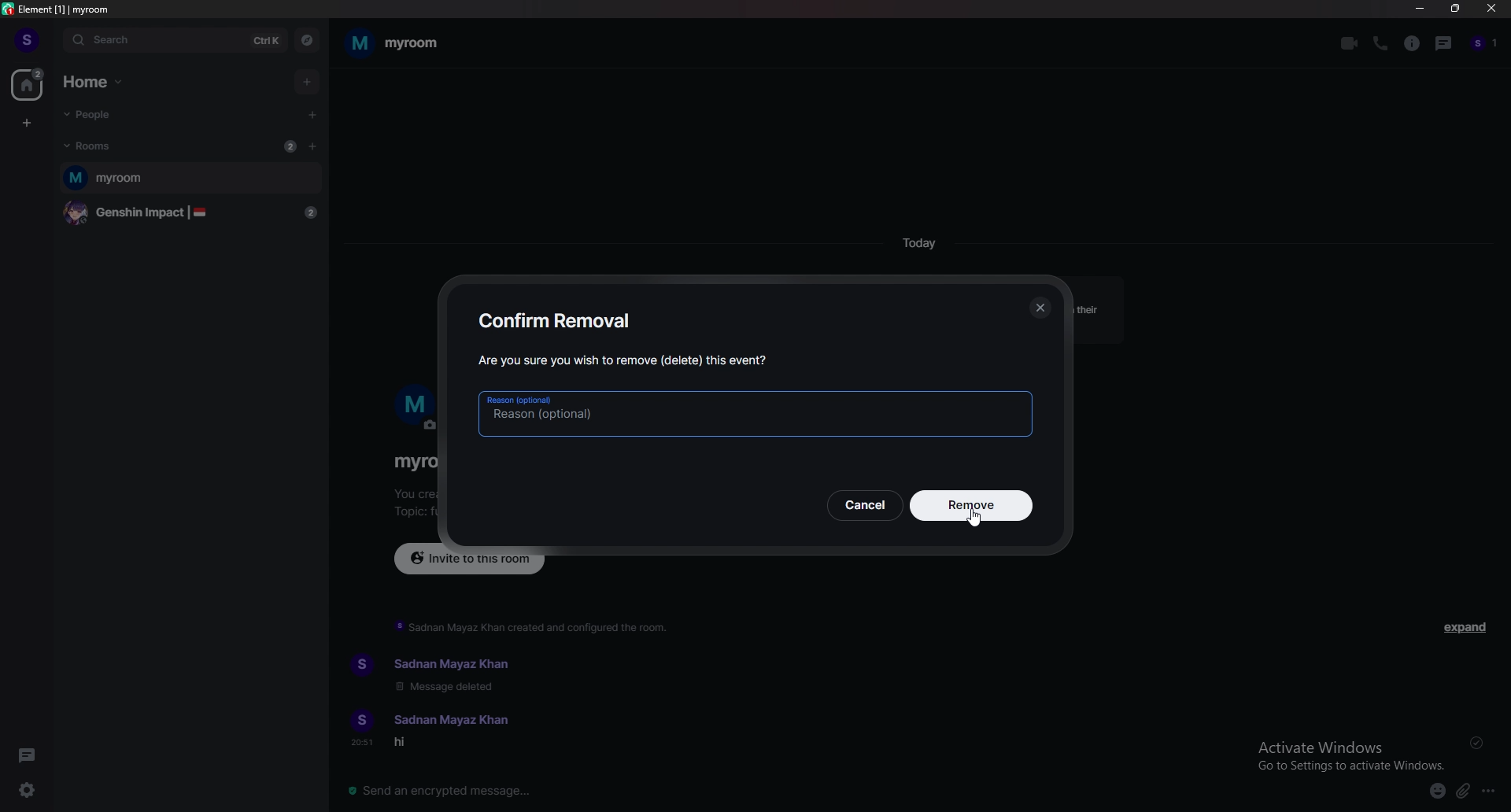 This screenshot has width=1511, height=812. Describe the element at coordinates (558, 319) in the screenshot. I see `confirm removal` at that location.